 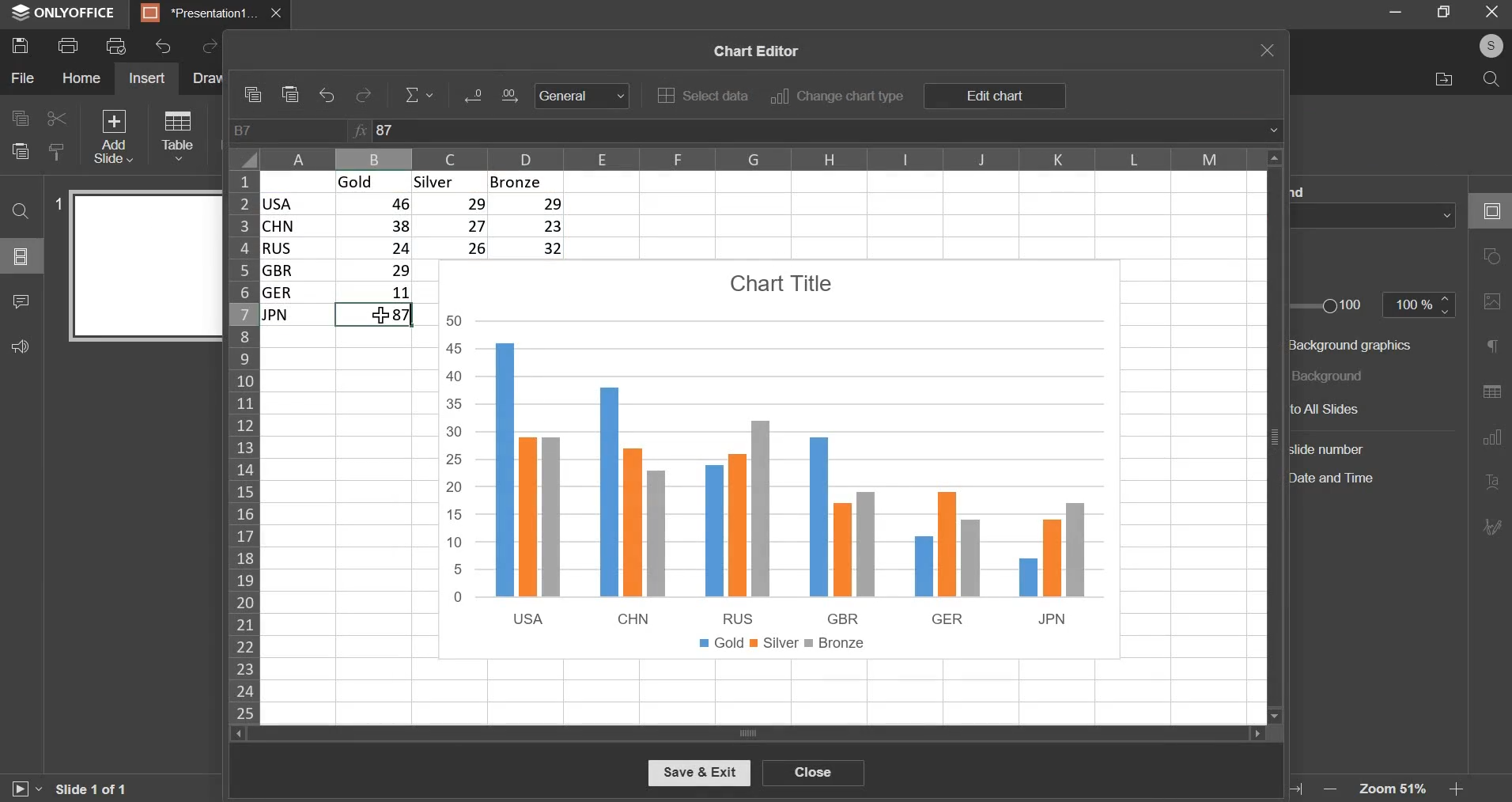 I want to click on 32, so click(x=530, y=247).